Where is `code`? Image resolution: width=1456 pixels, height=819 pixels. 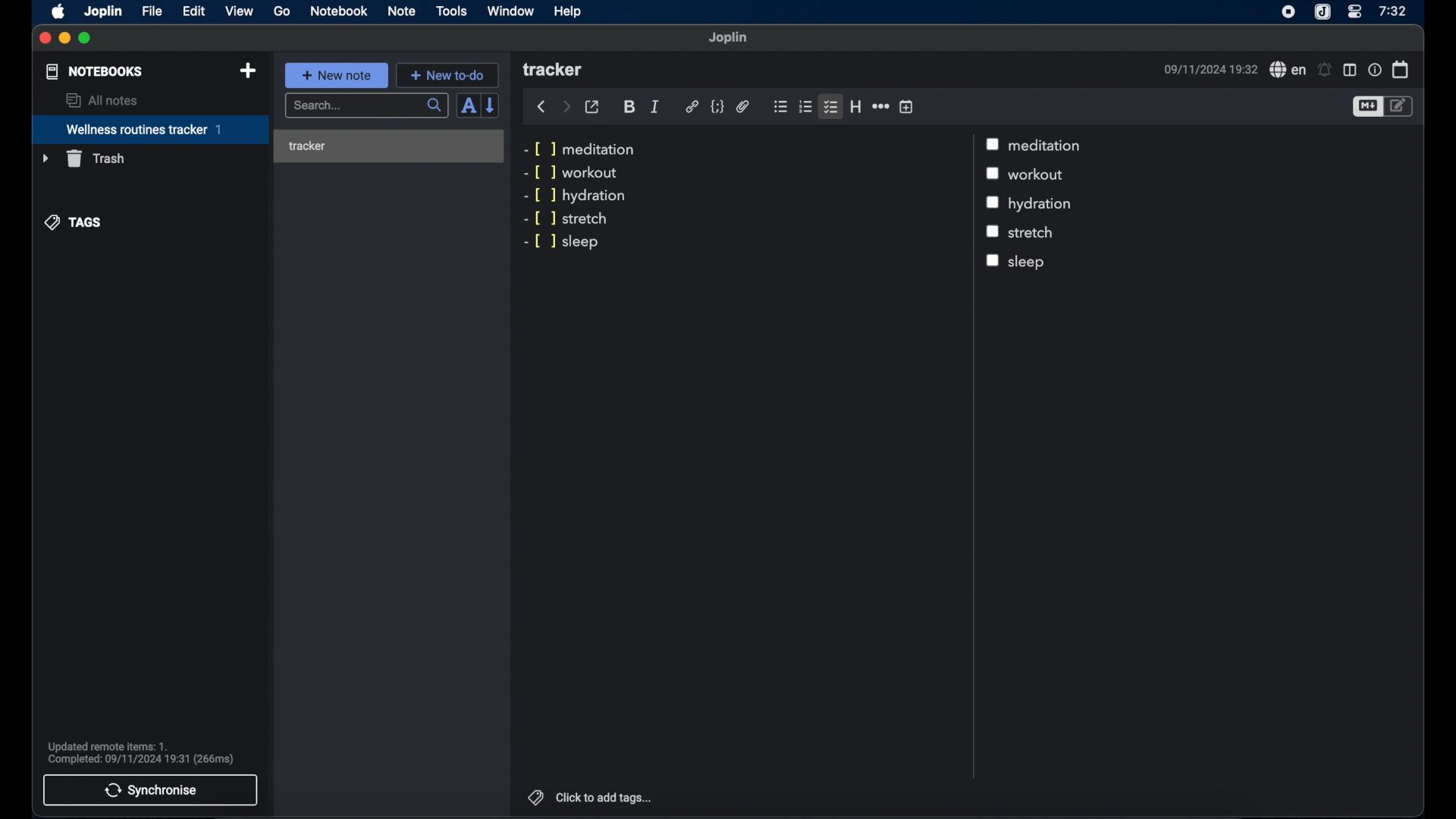
code is located at coordinates (717, 107).